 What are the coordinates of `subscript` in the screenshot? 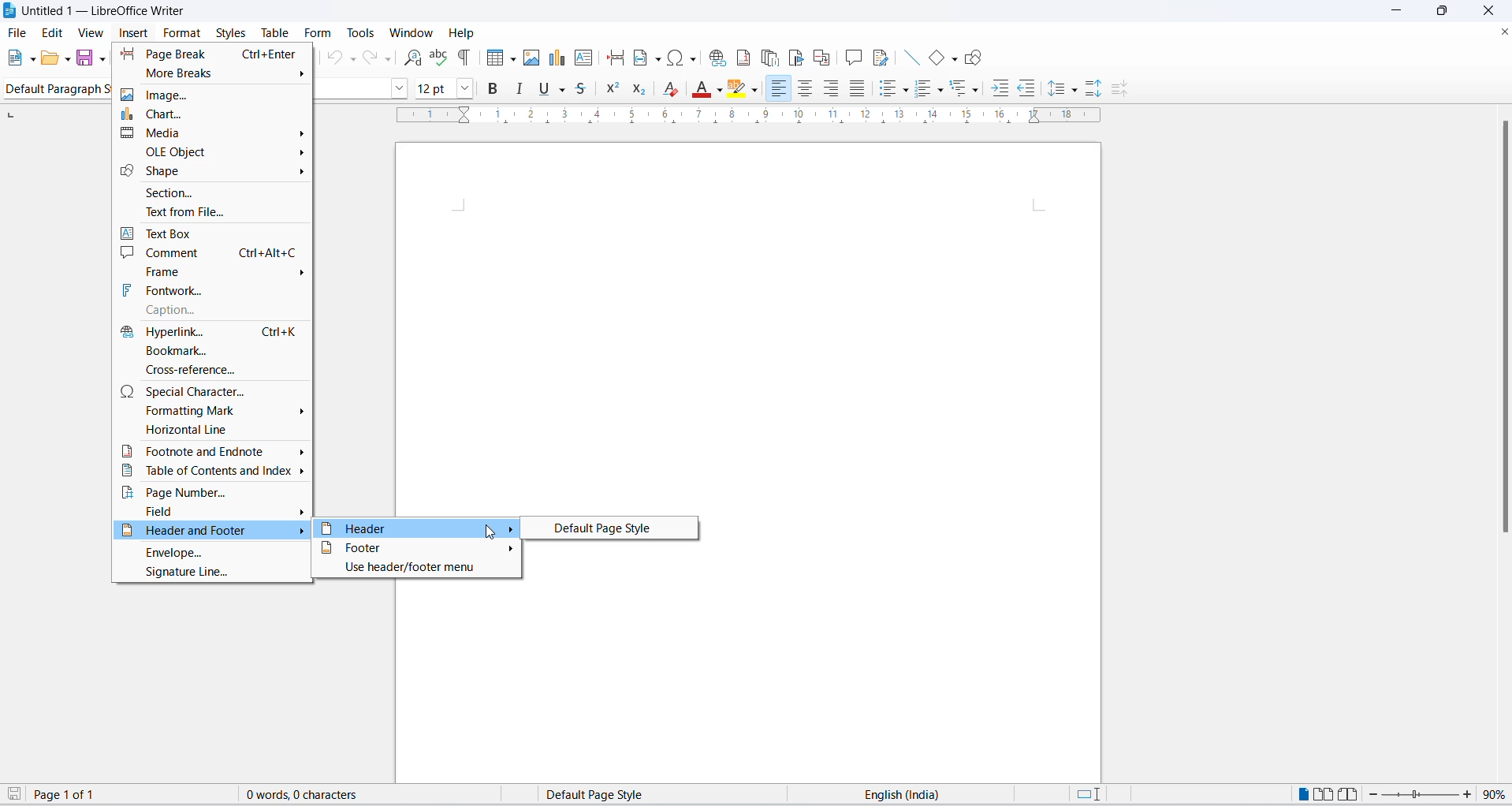 It's located at (646, 91).